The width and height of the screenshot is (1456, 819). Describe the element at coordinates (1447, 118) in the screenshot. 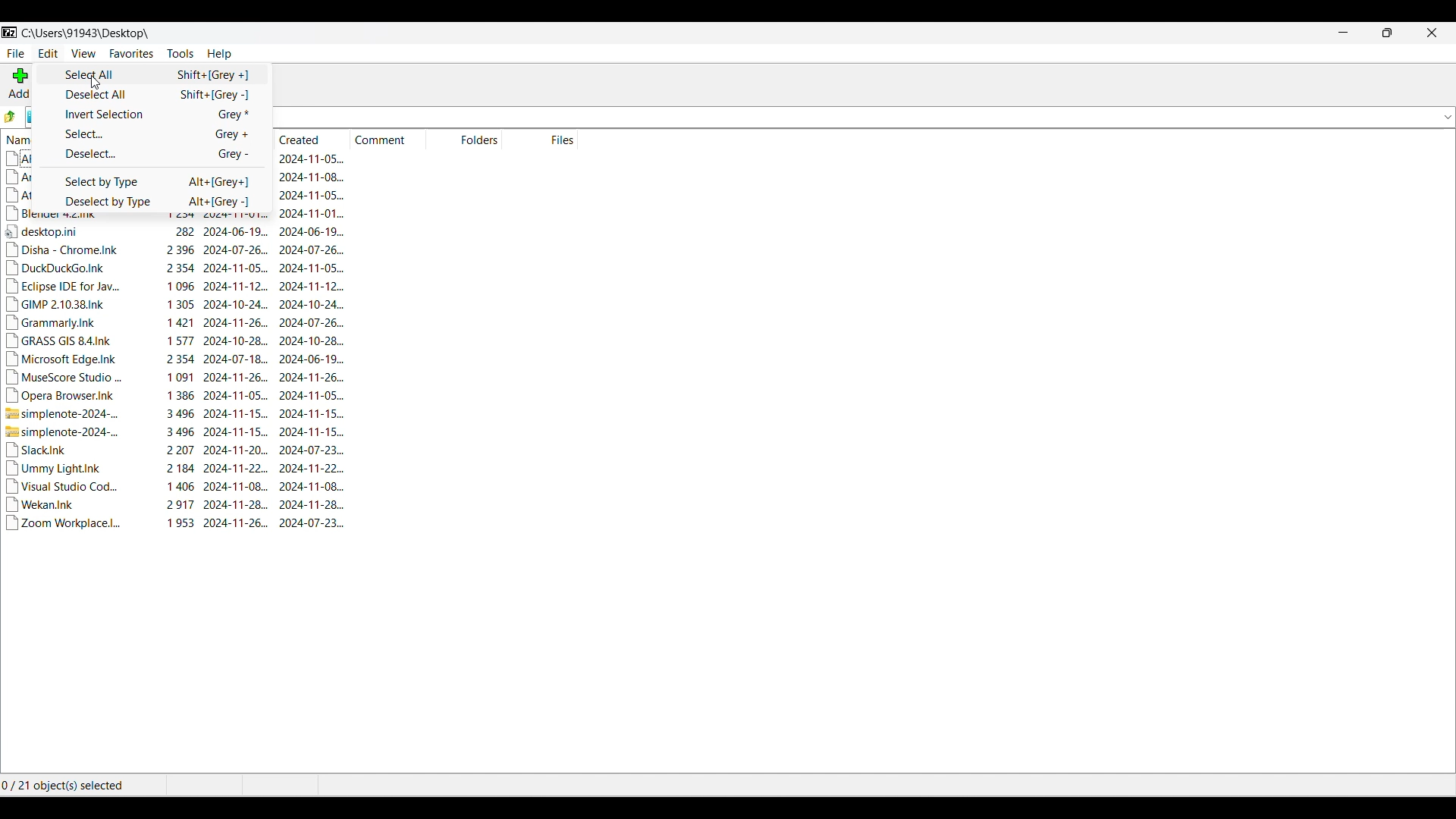

I see `List all previous folders` at that location.